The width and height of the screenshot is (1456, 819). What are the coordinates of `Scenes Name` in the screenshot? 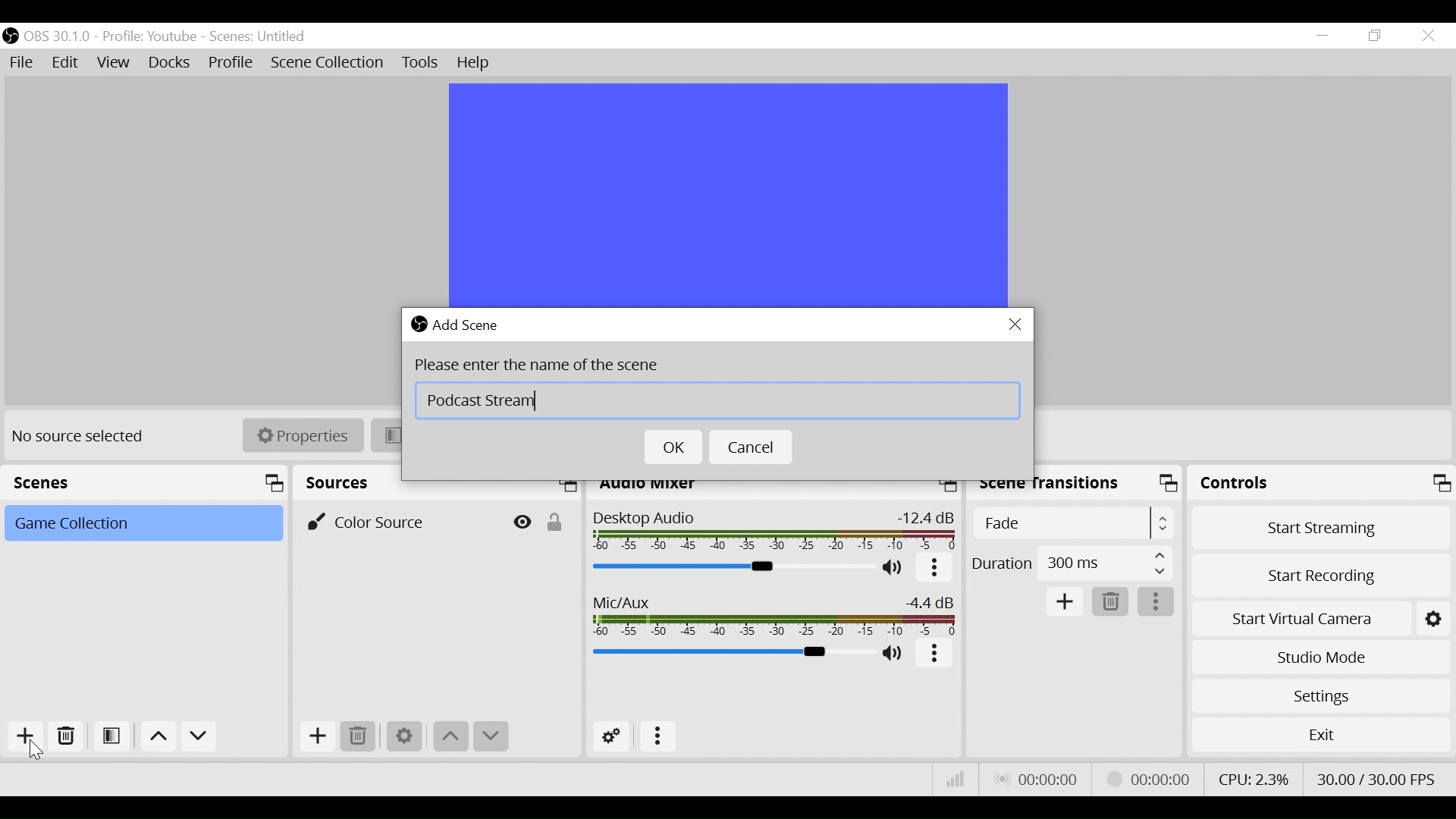 It's located at (262, 36).